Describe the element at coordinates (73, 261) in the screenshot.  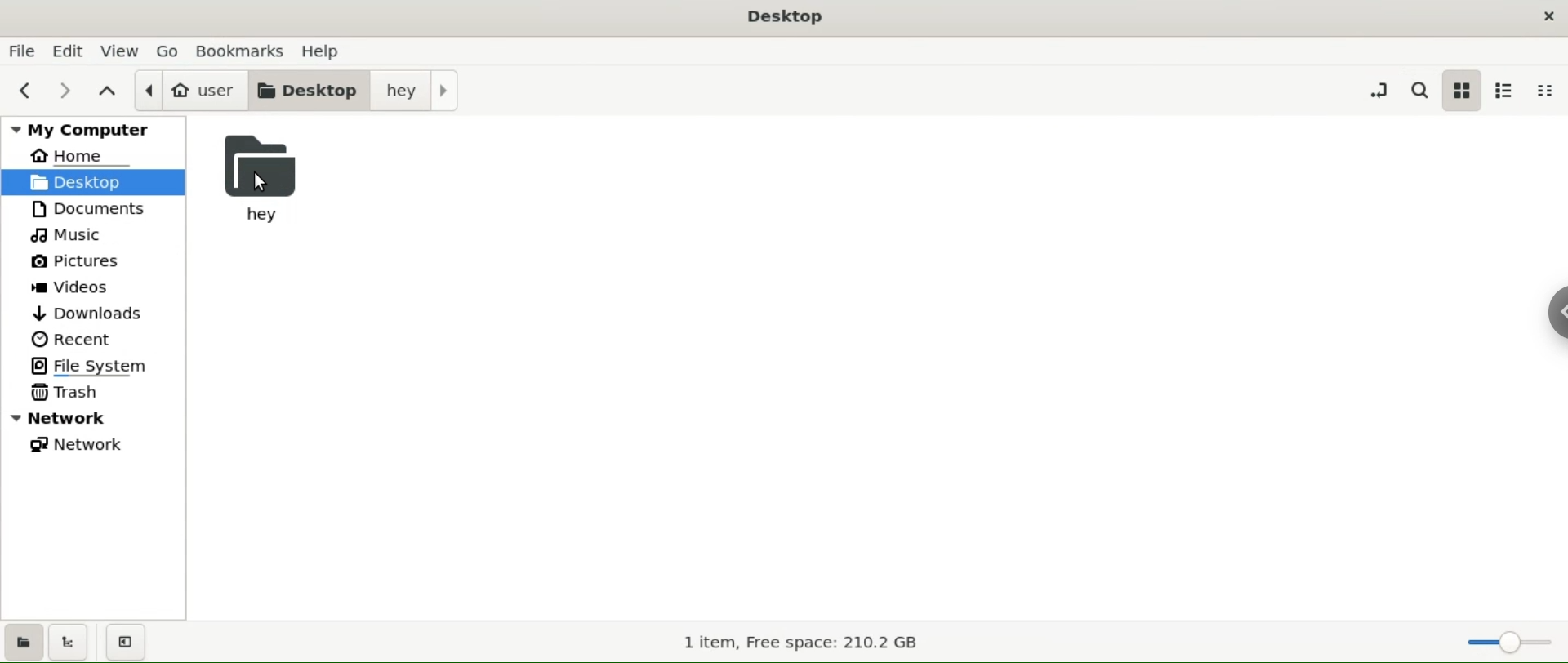
I see `pictures` at that location.